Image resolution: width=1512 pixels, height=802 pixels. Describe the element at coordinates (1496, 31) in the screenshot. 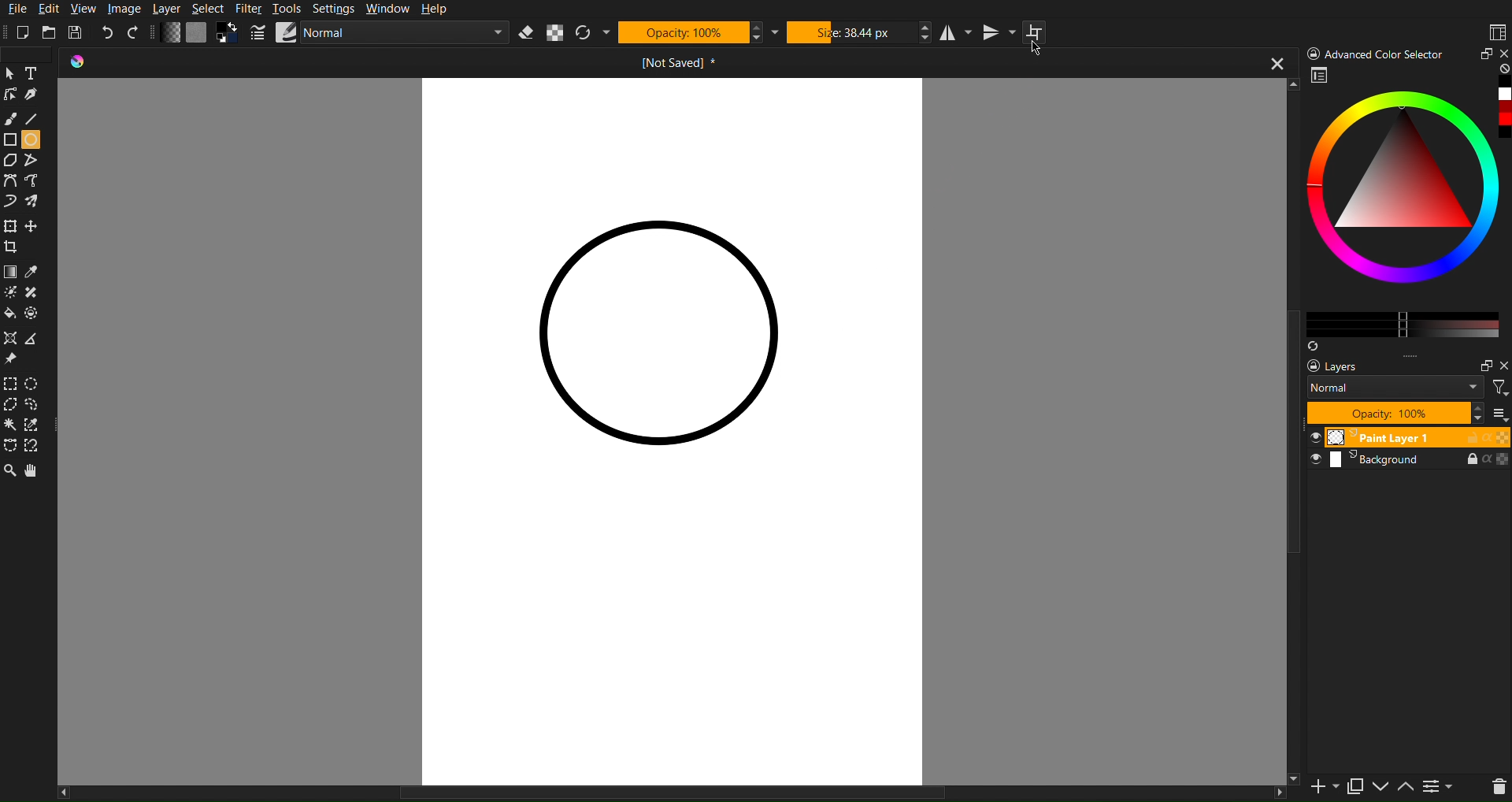

I see `Workspaces` at that location.